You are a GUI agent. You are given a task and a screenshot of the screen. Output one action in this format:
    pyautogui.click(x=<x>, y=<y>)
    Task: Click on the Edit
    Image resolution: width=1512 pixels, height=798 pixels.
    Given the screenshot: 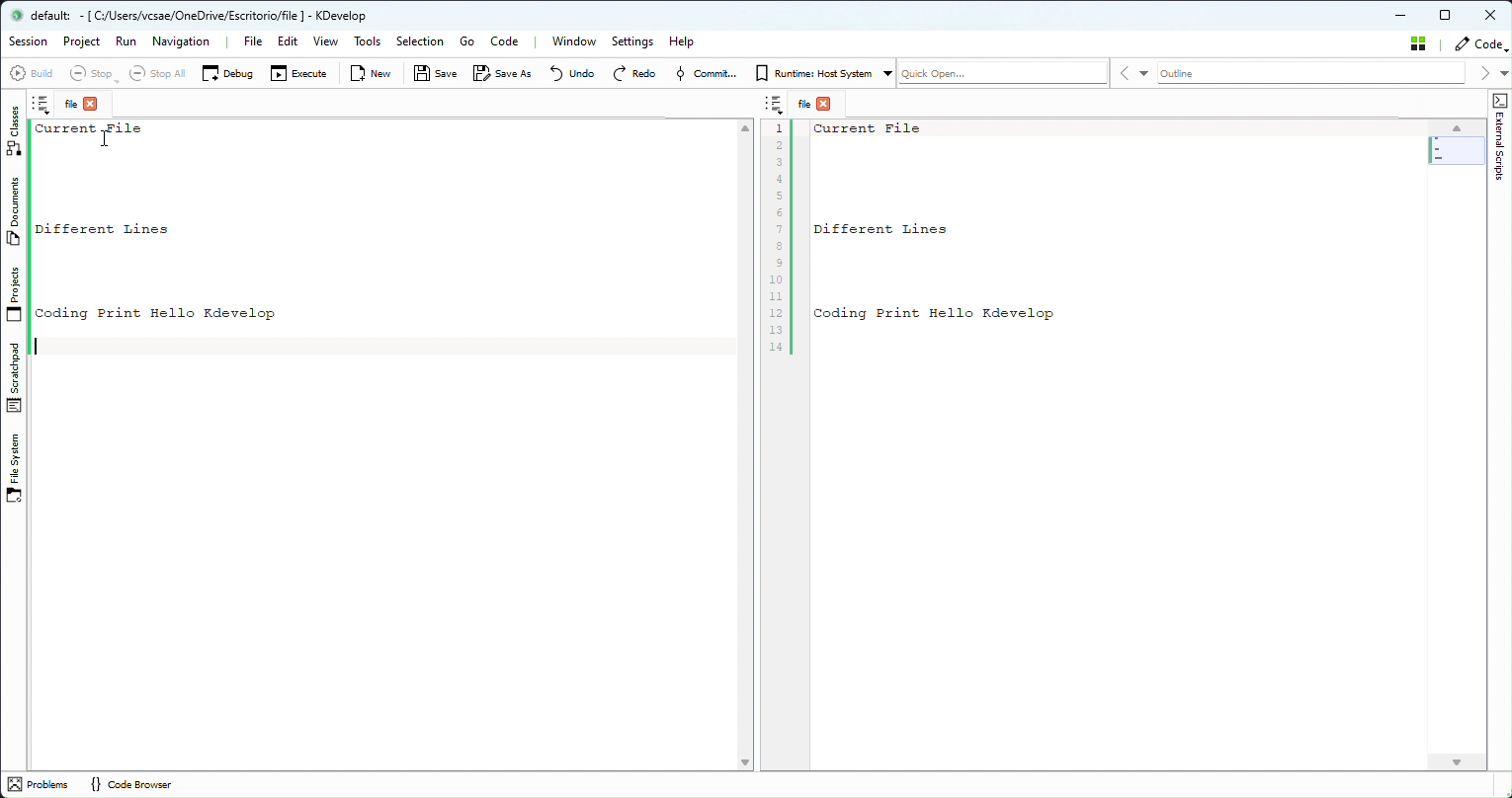 What is the action you would take?
    pyautogui.click(x=288, y=42)
    